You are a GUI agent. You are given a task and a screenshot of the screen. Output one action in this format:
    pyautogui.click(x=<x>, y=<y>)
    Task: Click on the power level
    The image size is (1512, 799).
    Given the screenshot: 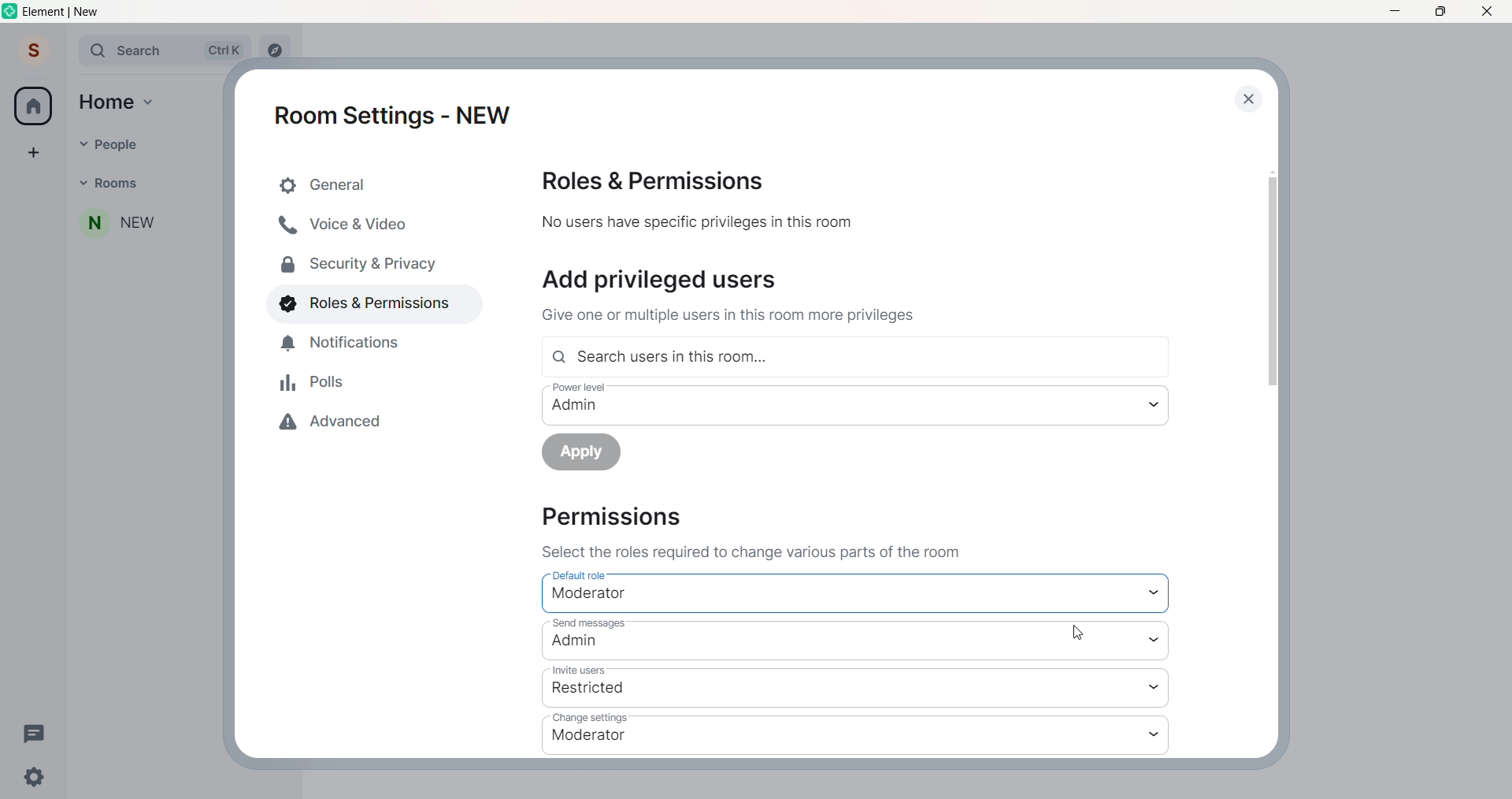 What is the action you would take?
    pyautogui.click(x=825, y=403)
    